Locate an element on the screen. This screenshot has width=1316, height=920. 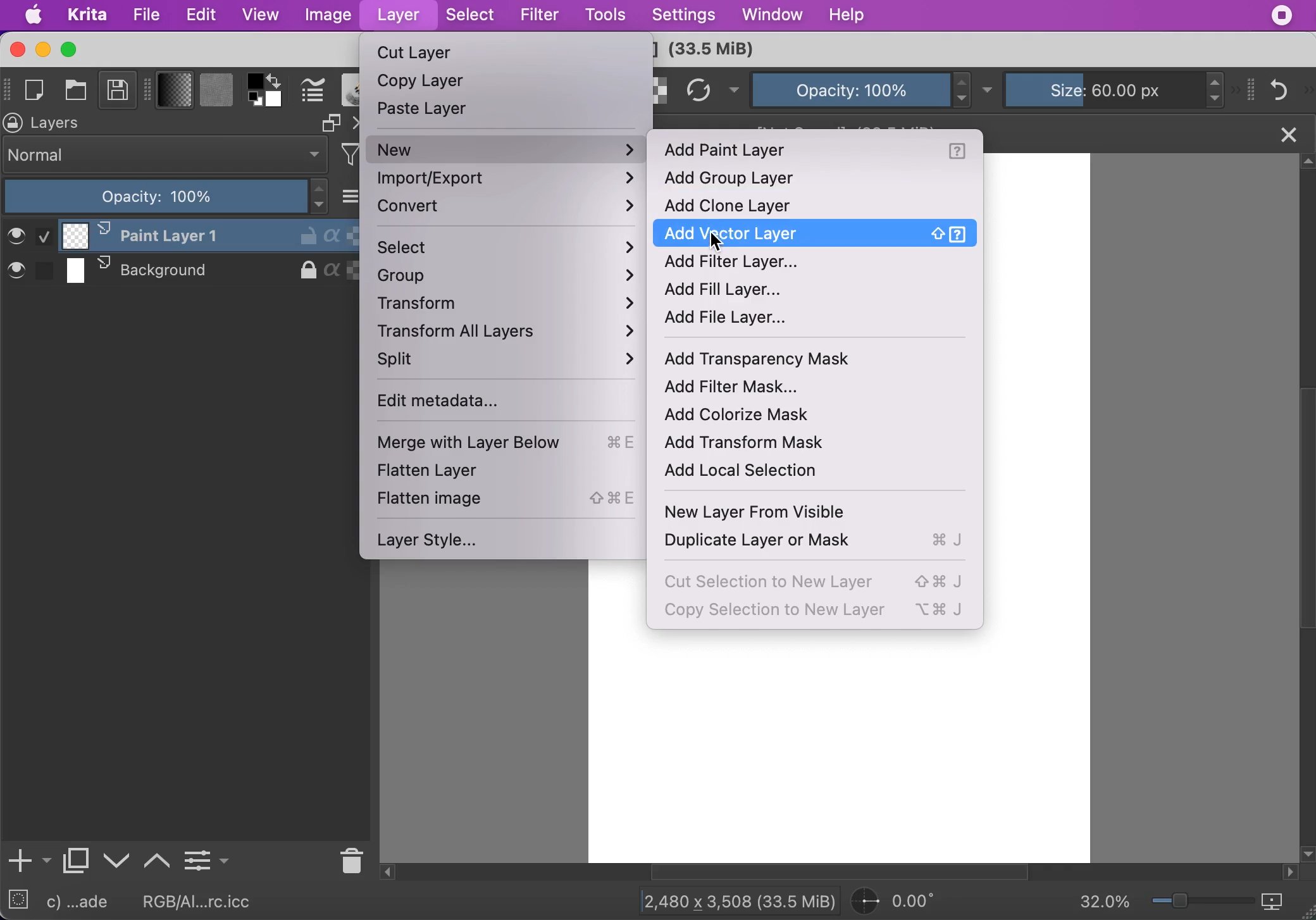
opacity is located at coordinates (850, 89).